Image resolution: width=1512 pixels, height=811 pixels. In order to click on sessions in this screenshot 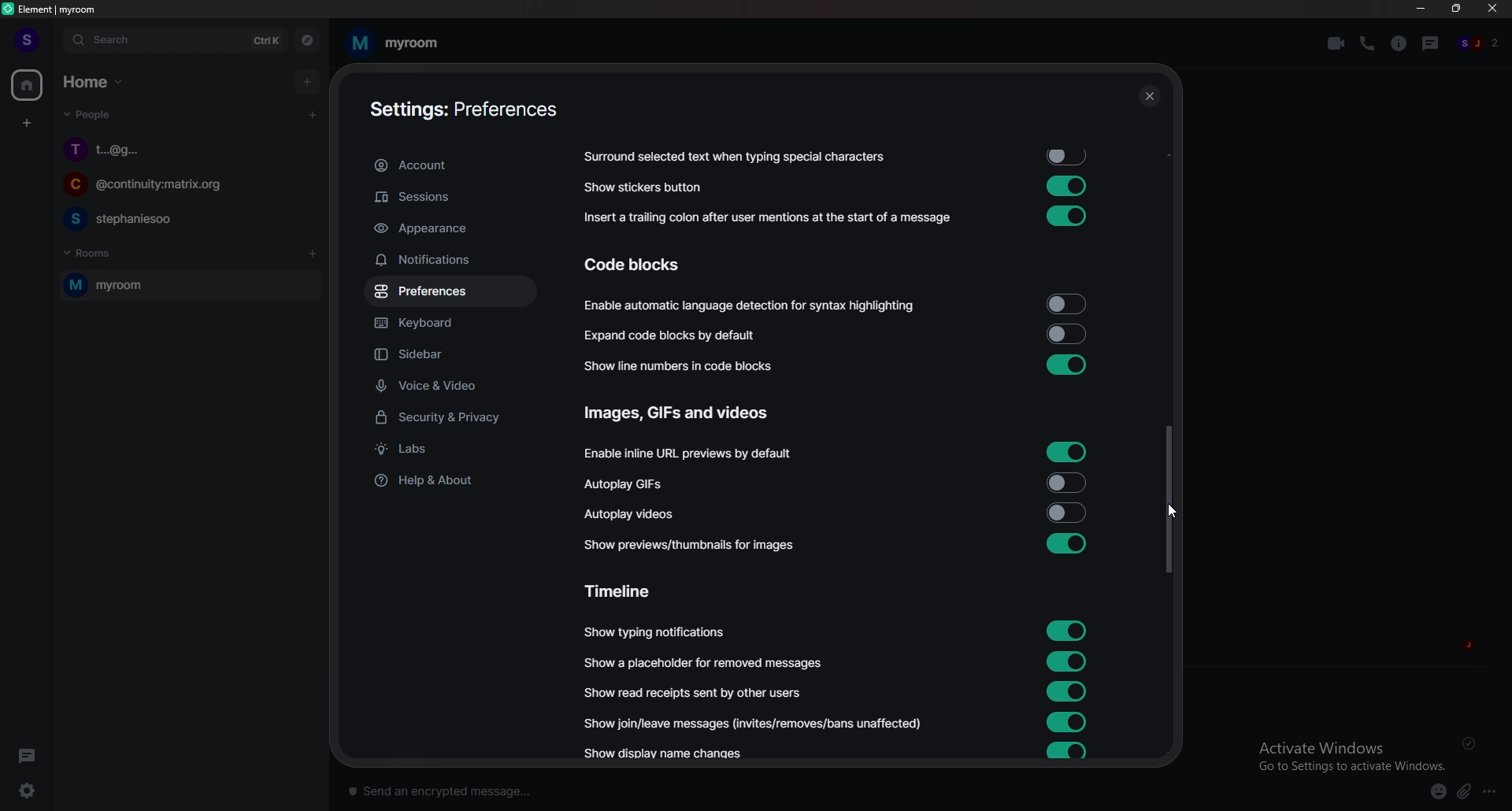, I will do `click(449, 198)`.